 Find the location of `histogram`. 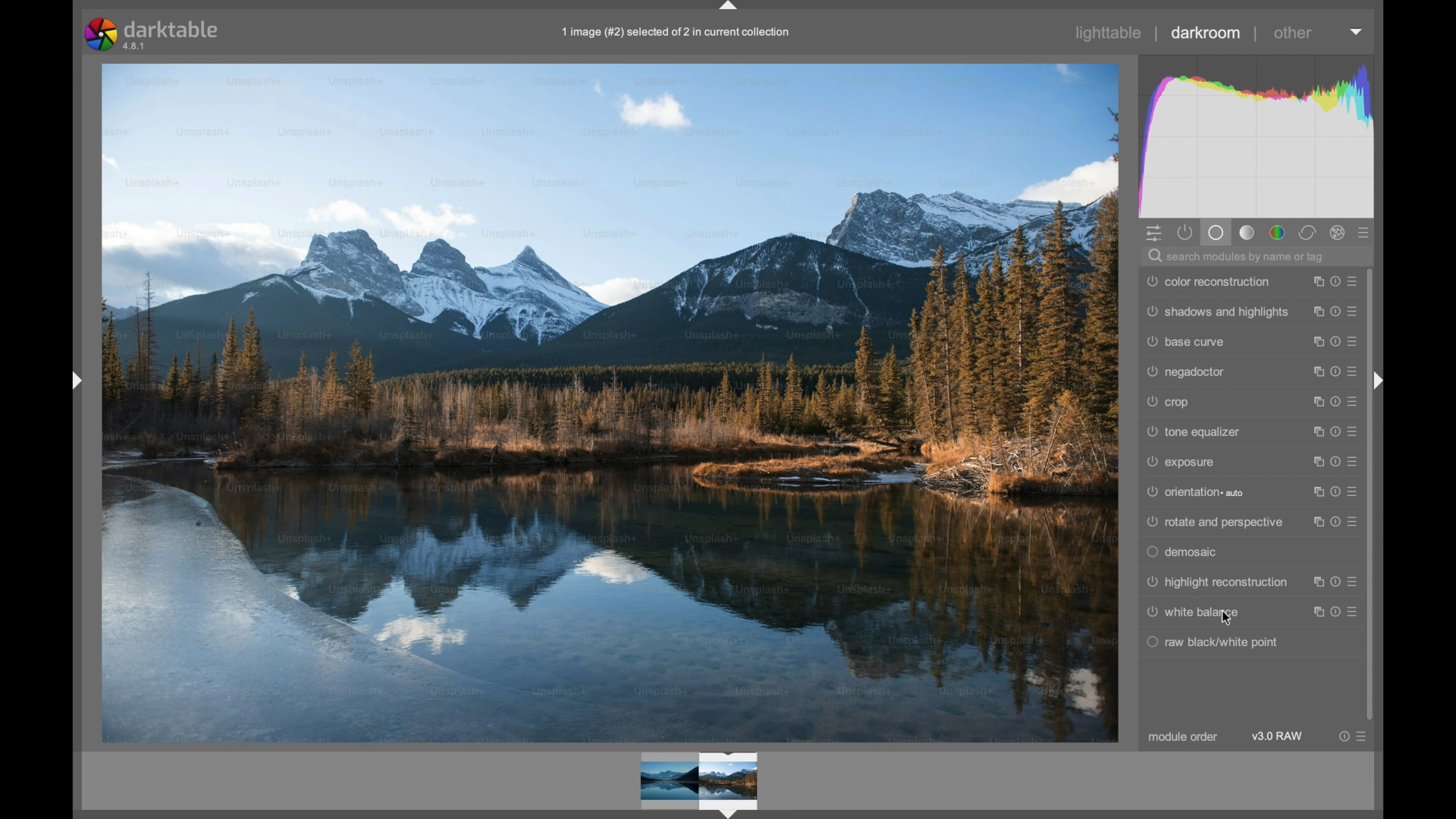

histogram is located at coordinates (1256, 135).